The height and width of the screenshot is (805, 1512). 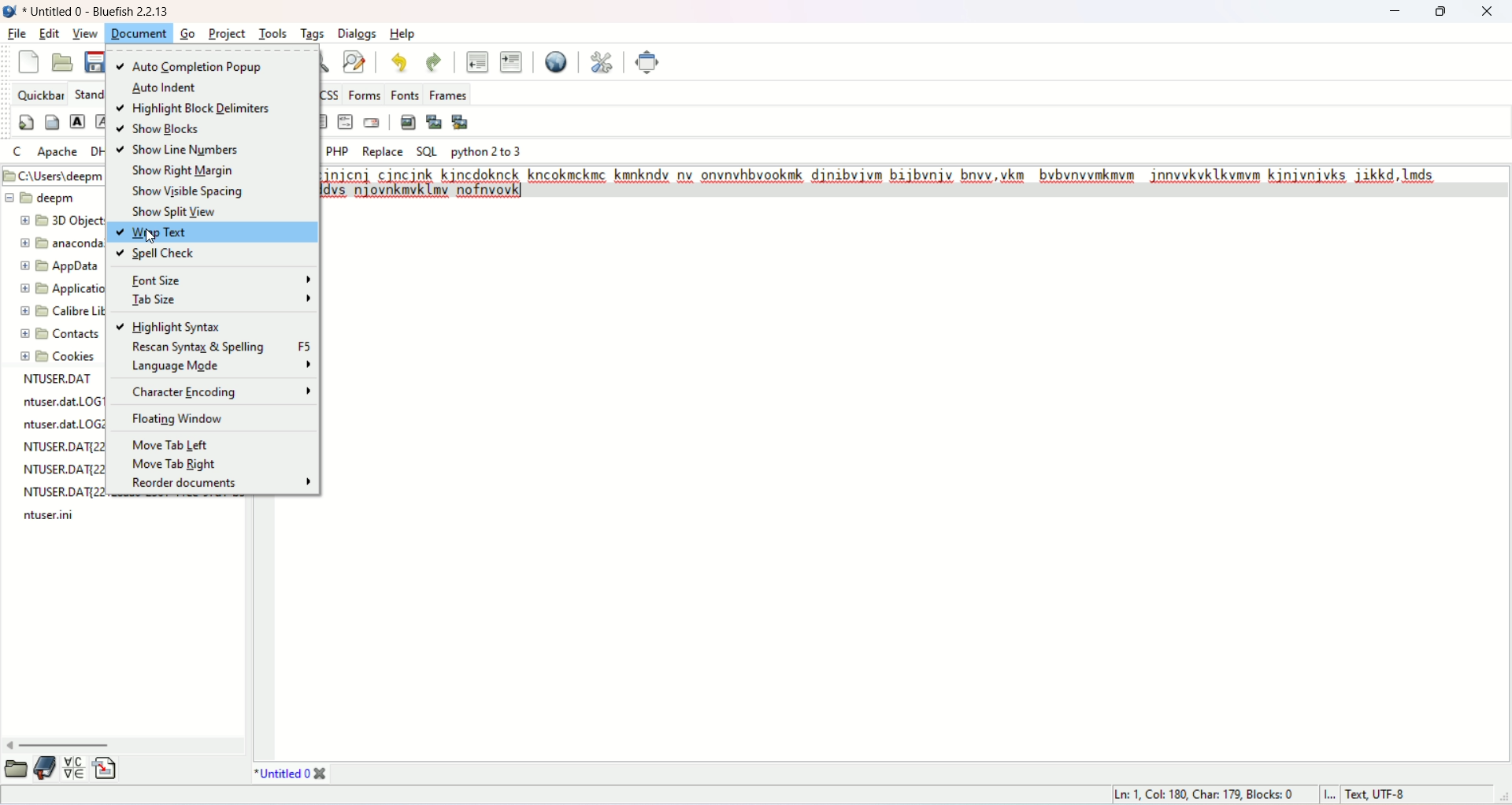 What do you see at coordinates (452, 96) in the screenshot?
I see `frames` at bounding box center [452, 96].